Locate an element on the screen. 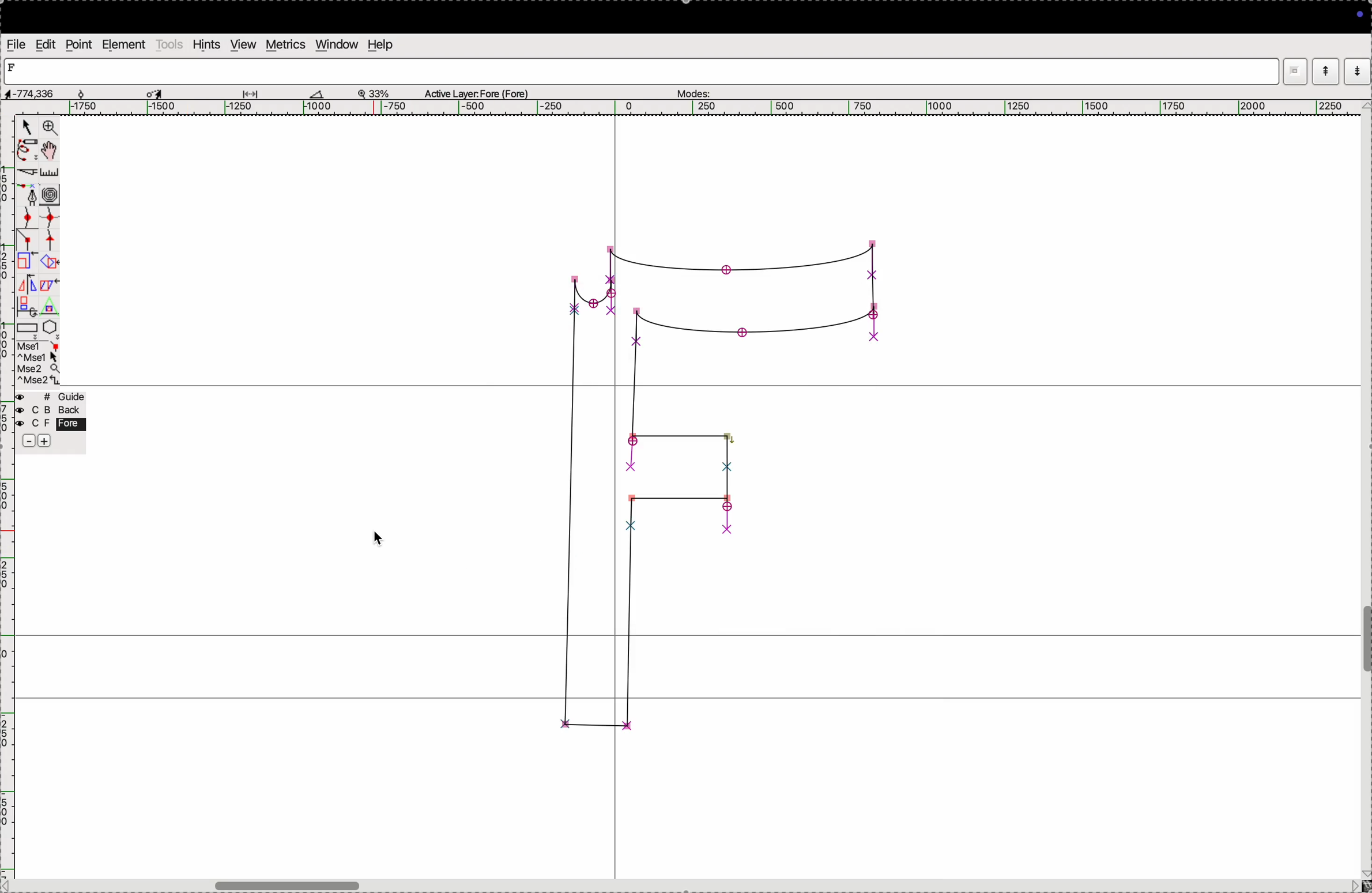  toogle is located at coordinates (1366, 643).